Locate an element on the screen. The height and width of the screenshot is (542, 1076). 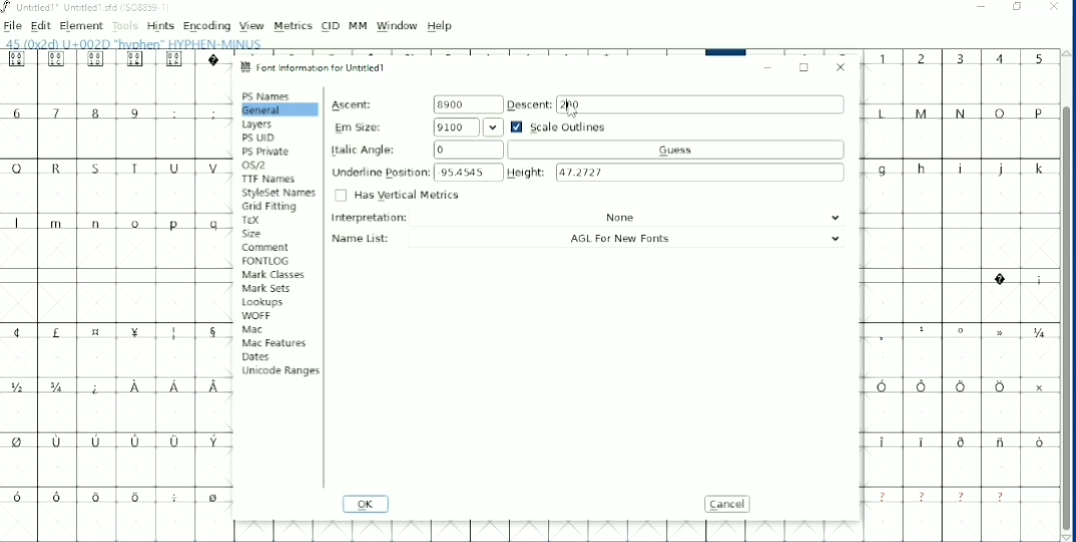
Close is located at coordinates (1054, 9).